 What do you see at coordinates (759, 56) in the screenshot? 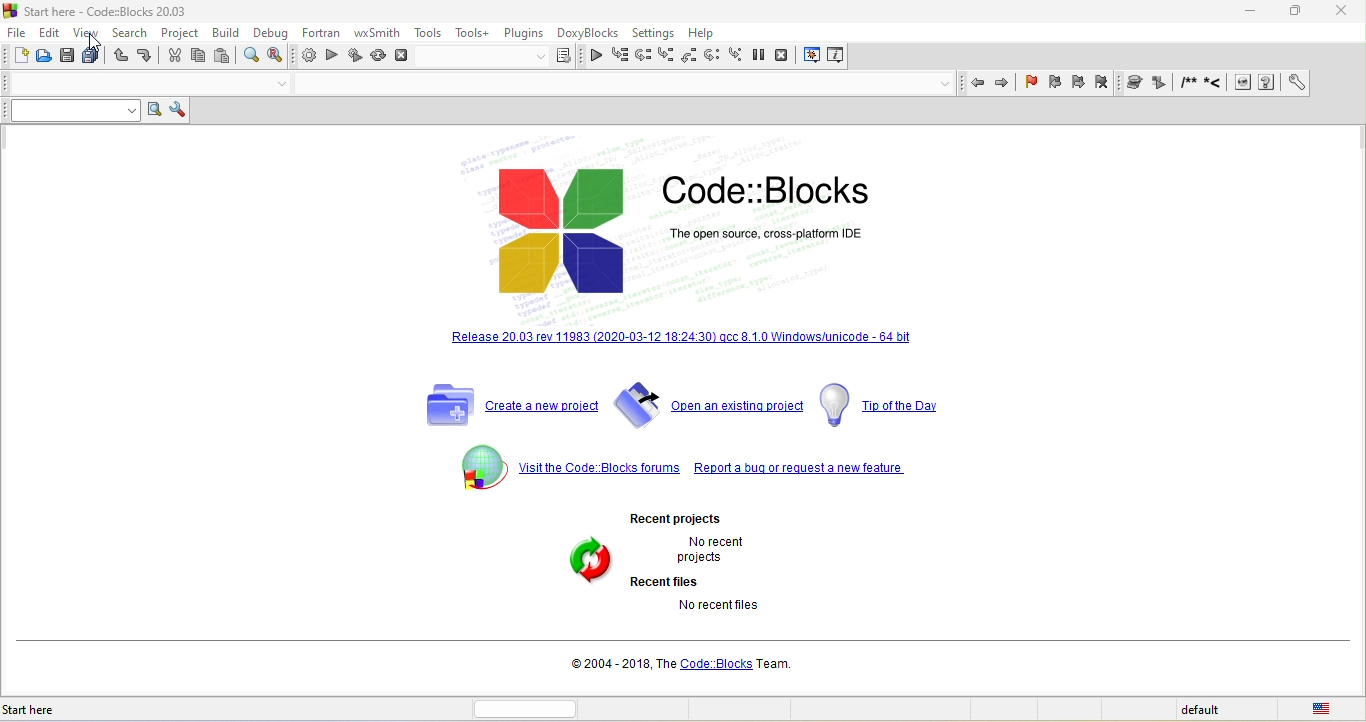
I see `break debugger` at bounding box center [759, 56].